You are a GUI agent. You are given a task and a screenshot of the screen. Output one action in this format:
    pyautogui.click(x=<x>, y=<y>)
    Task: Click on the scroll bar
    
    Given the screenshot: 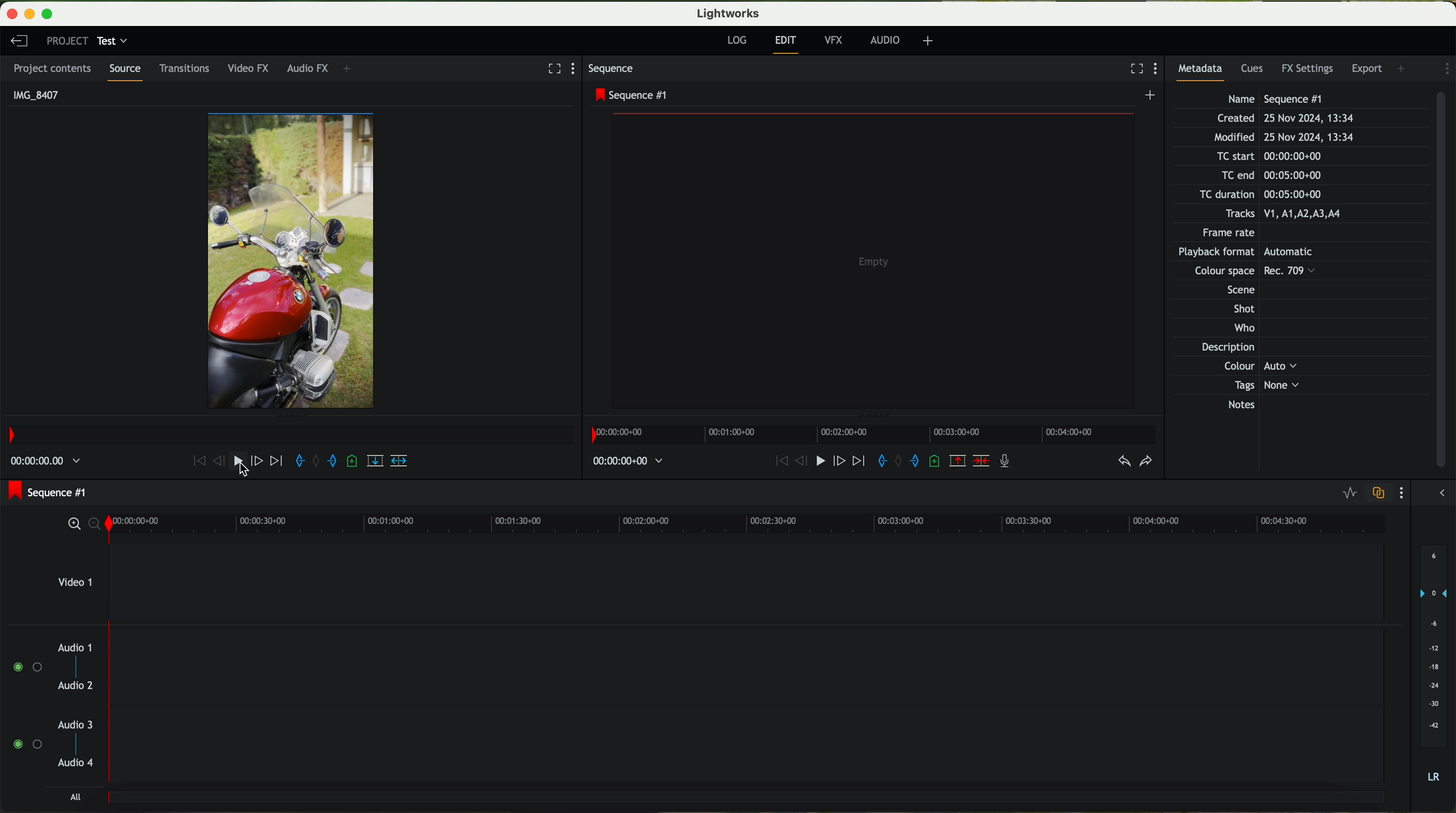 What is the action you would take?
    pyautogui.click(x=1446, y=281)
    